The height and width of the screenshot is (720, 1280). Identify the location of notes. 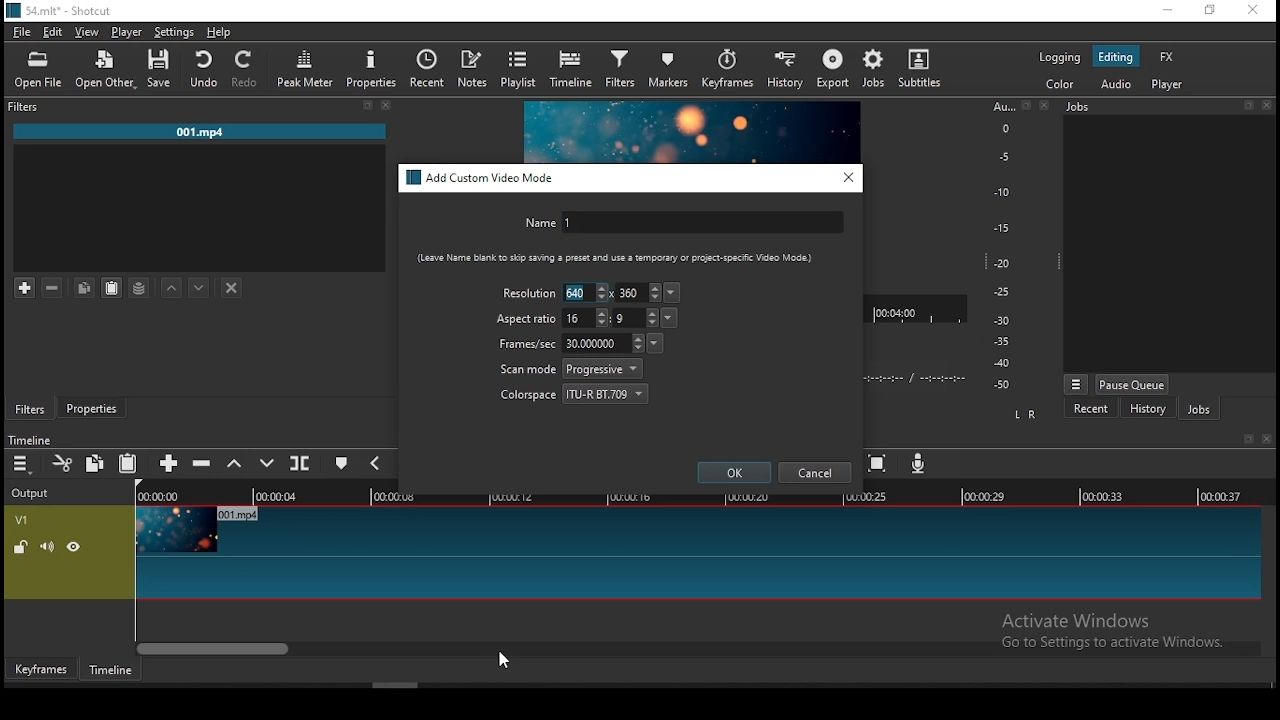
(472, 69).